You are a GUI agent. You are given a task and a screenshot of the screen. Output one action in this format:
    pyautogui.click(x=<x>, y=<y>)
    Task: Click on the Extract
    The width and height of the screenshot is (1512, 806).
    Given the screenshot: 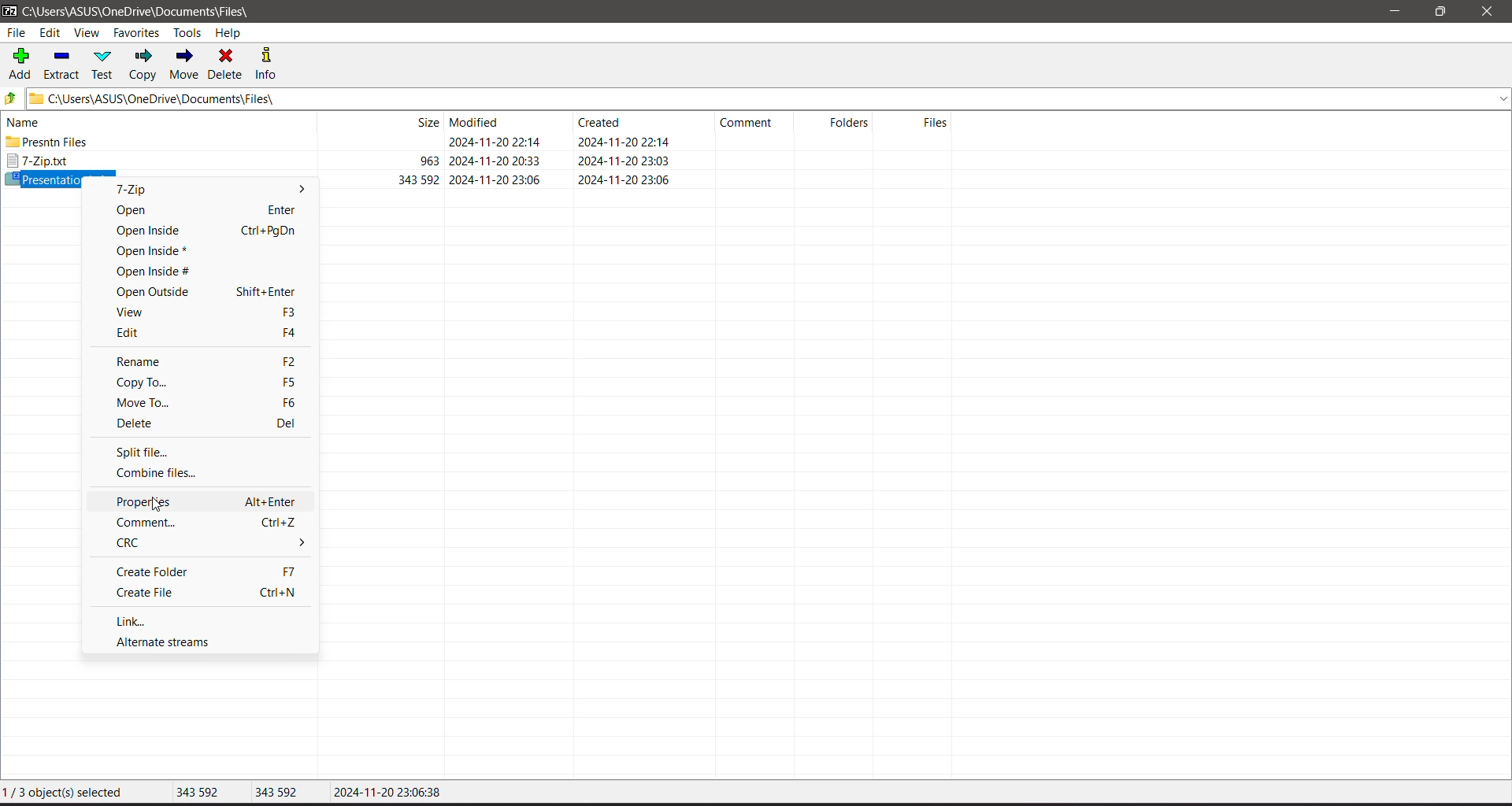 What is the action you would take?
    pyautogui.click(x=62, y=63)
    